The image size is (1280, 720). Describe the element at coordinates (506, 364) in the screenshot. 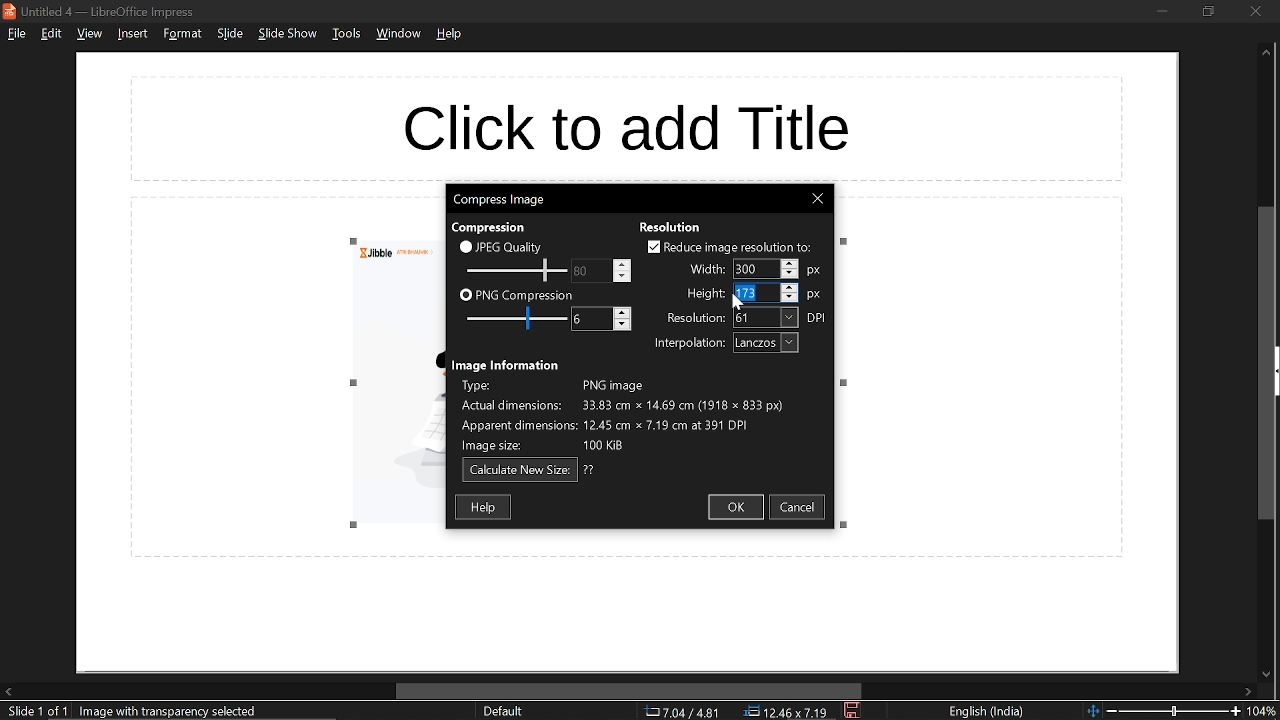

I see `text` at that location.